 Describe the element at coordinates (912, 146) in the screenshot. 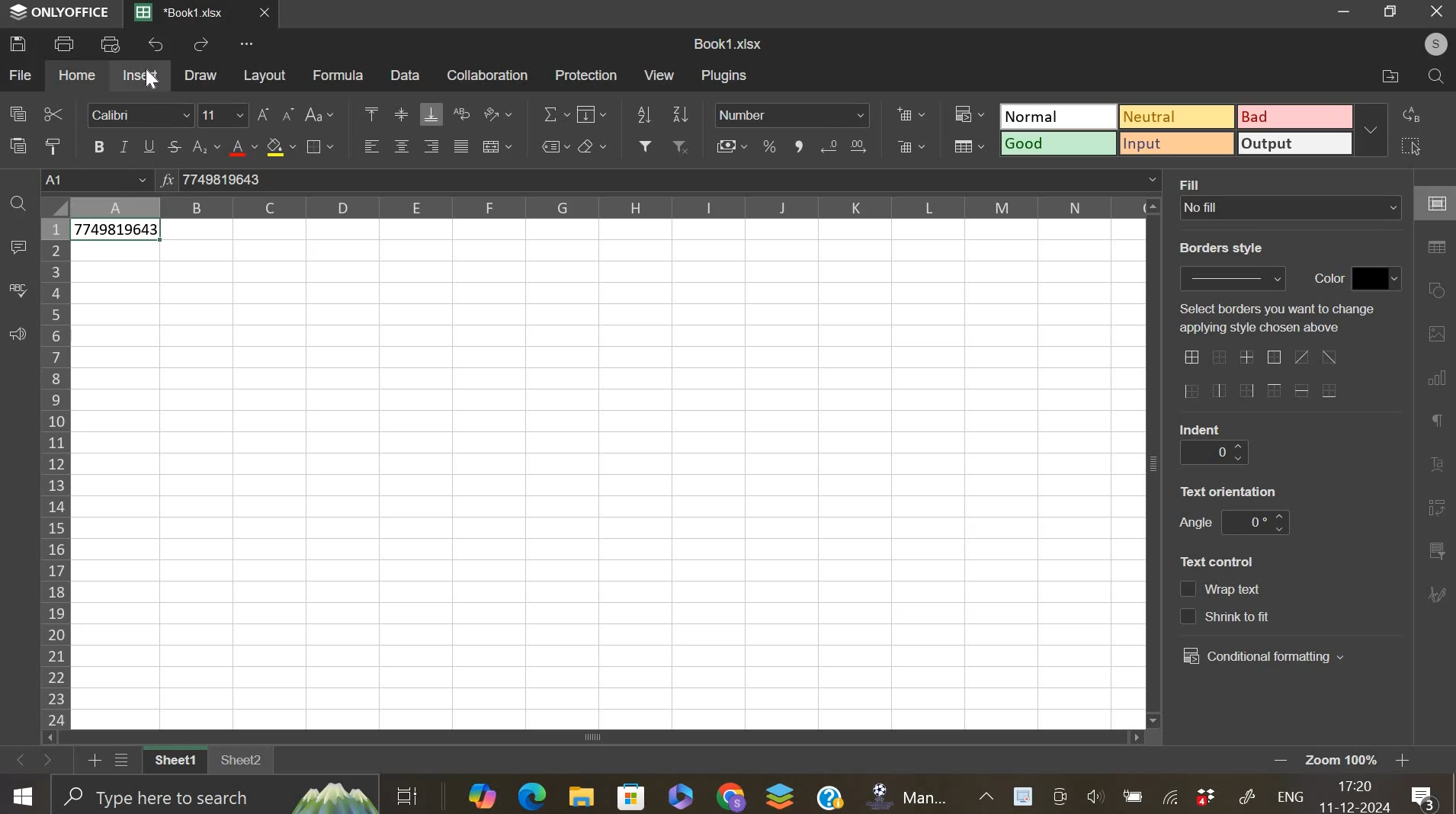

I see `delete cells` at that location.